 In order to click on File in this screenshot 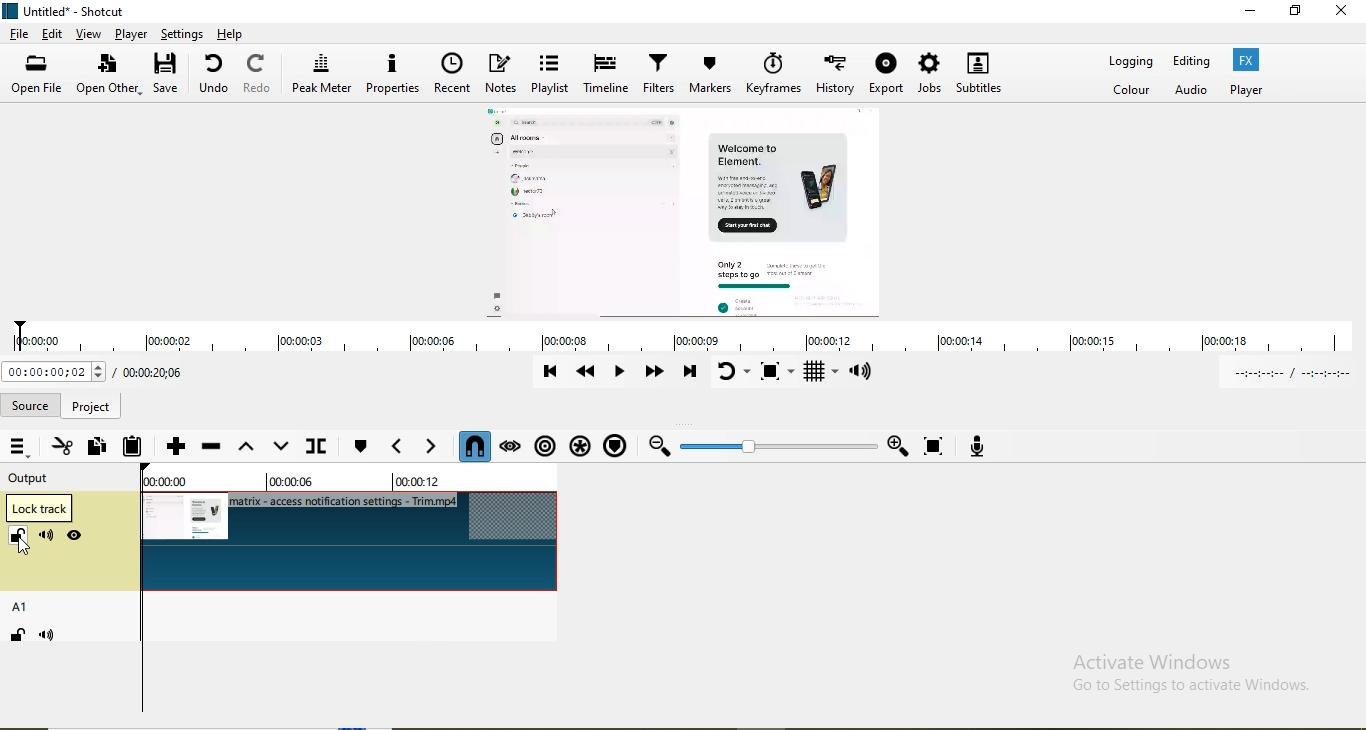, I will do `click(21, 33)`.